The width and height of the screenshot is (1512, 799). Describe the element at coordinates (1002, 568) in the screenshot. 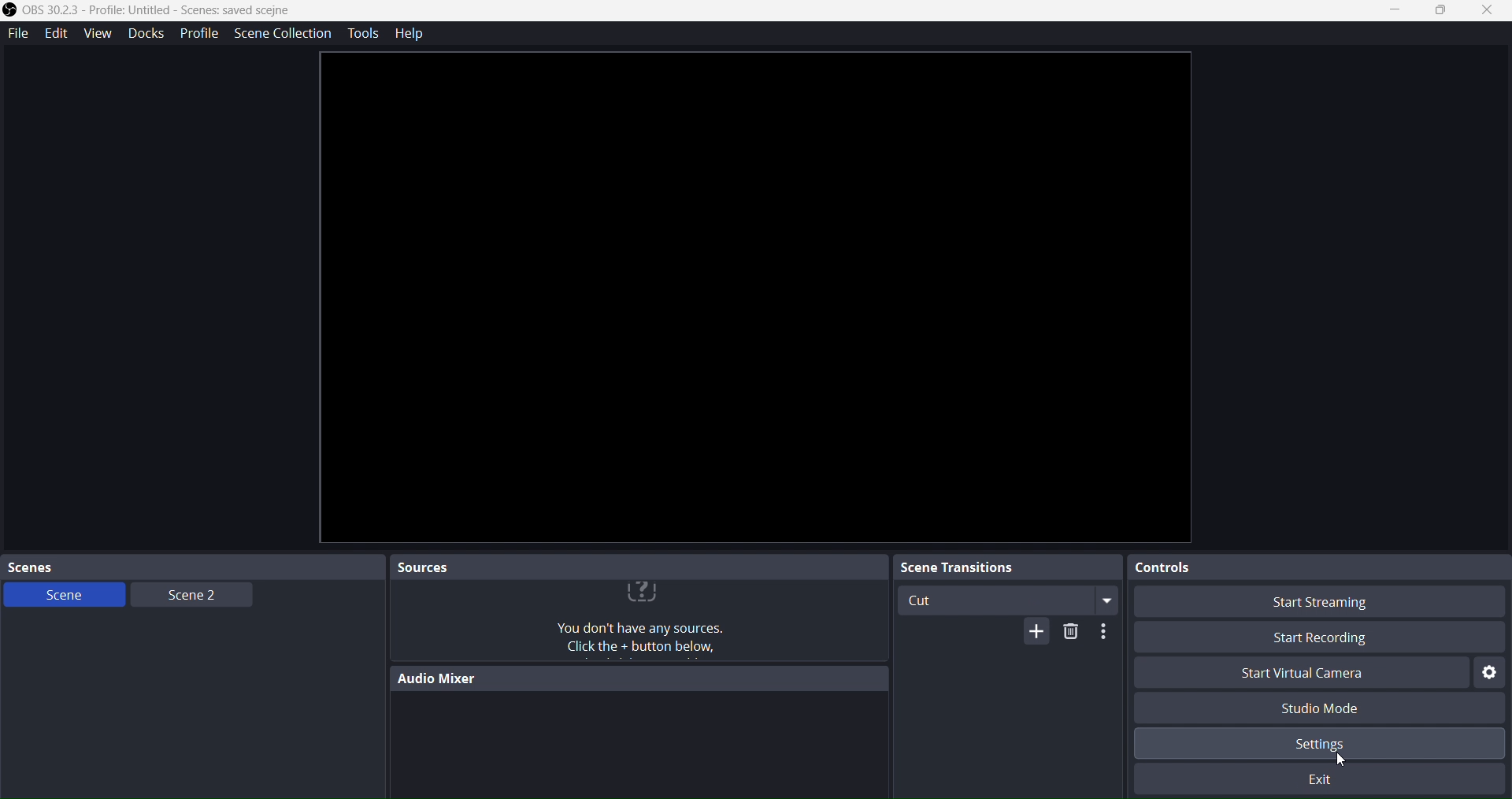

I see `Scene Transitions` at that location.